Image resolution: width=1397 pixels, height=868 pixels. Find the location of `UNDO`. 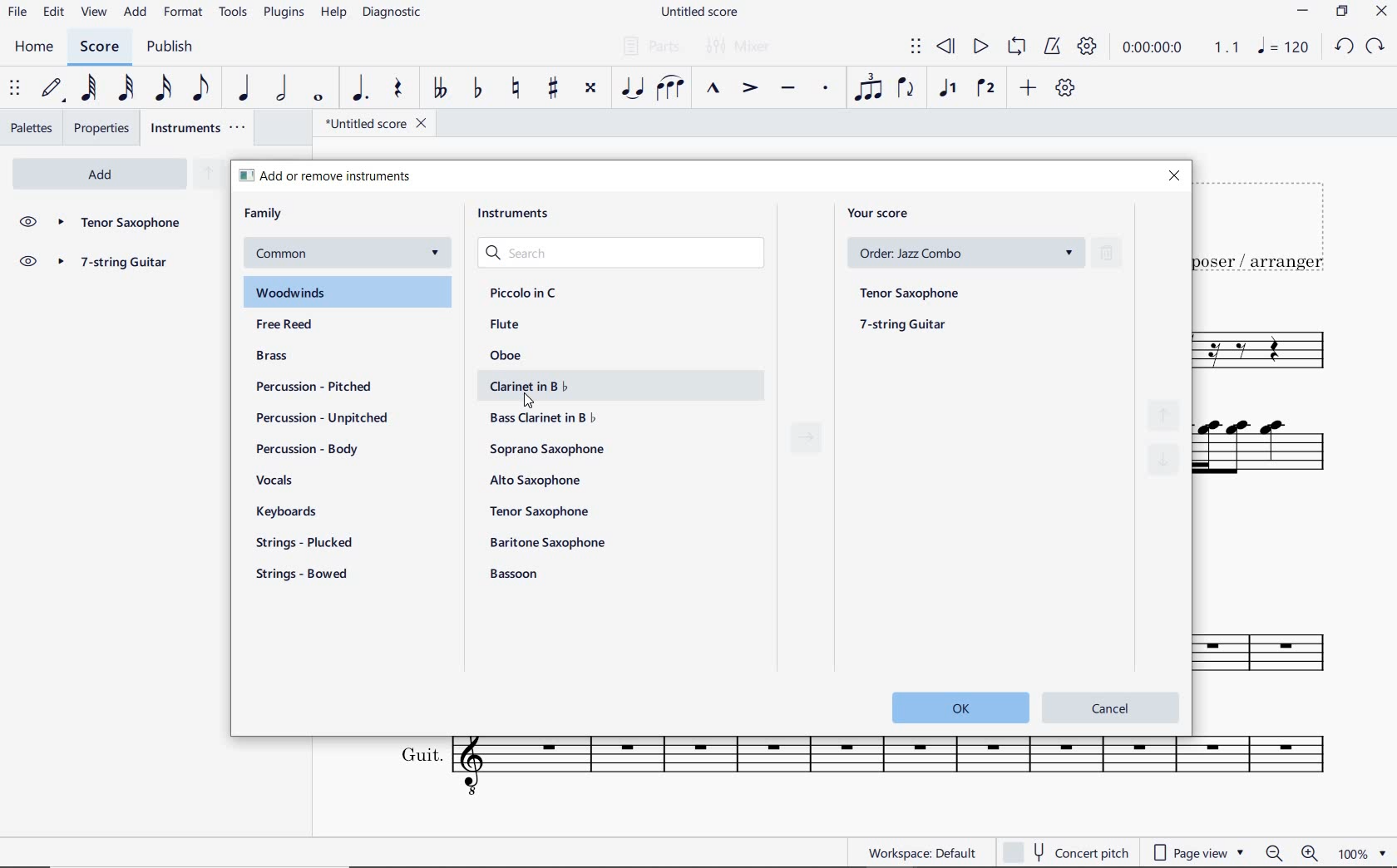

UNDO is located at coordinates (1344, 47).